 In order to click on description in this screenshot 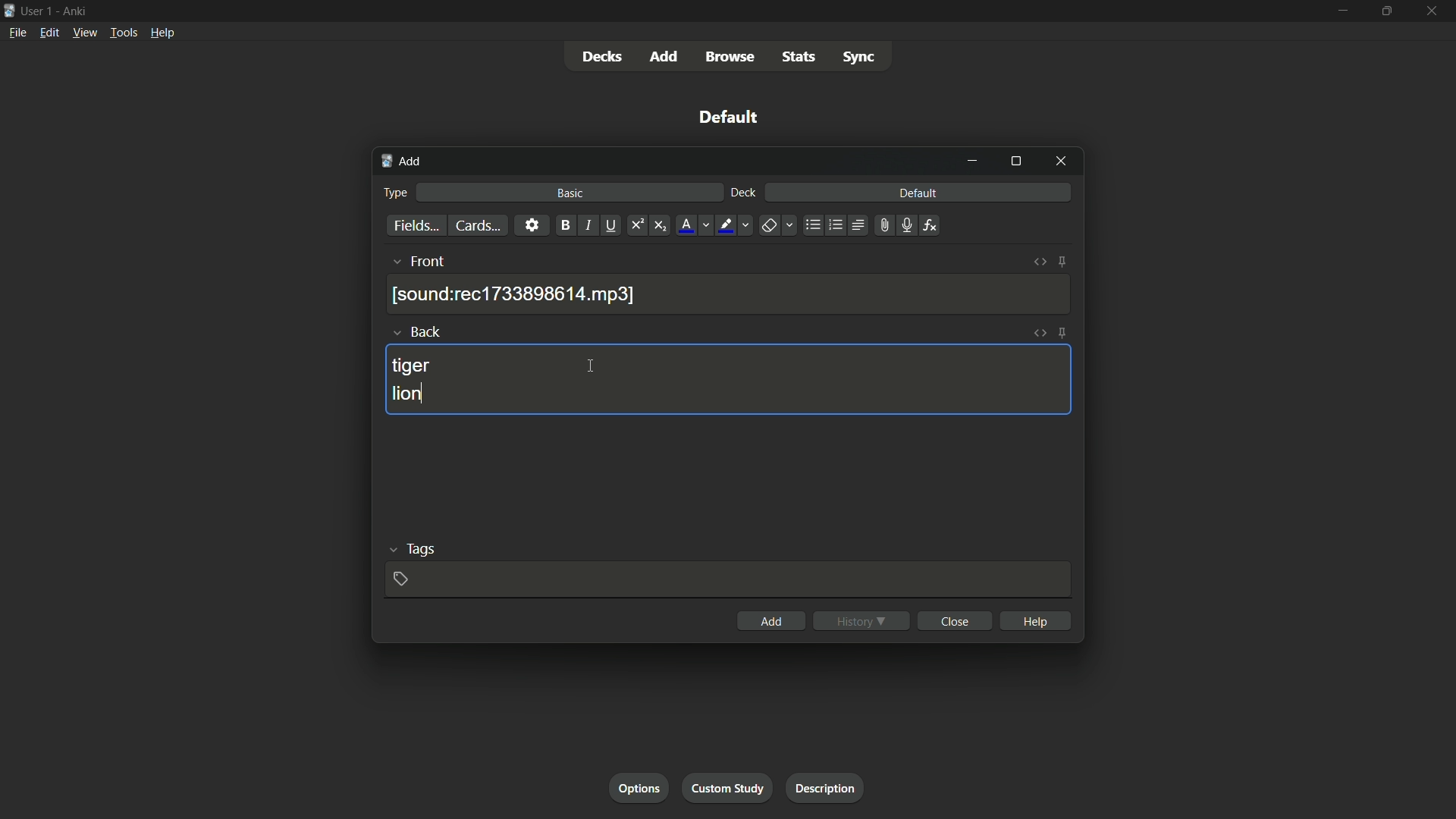, I will do `click(826, 788)`.